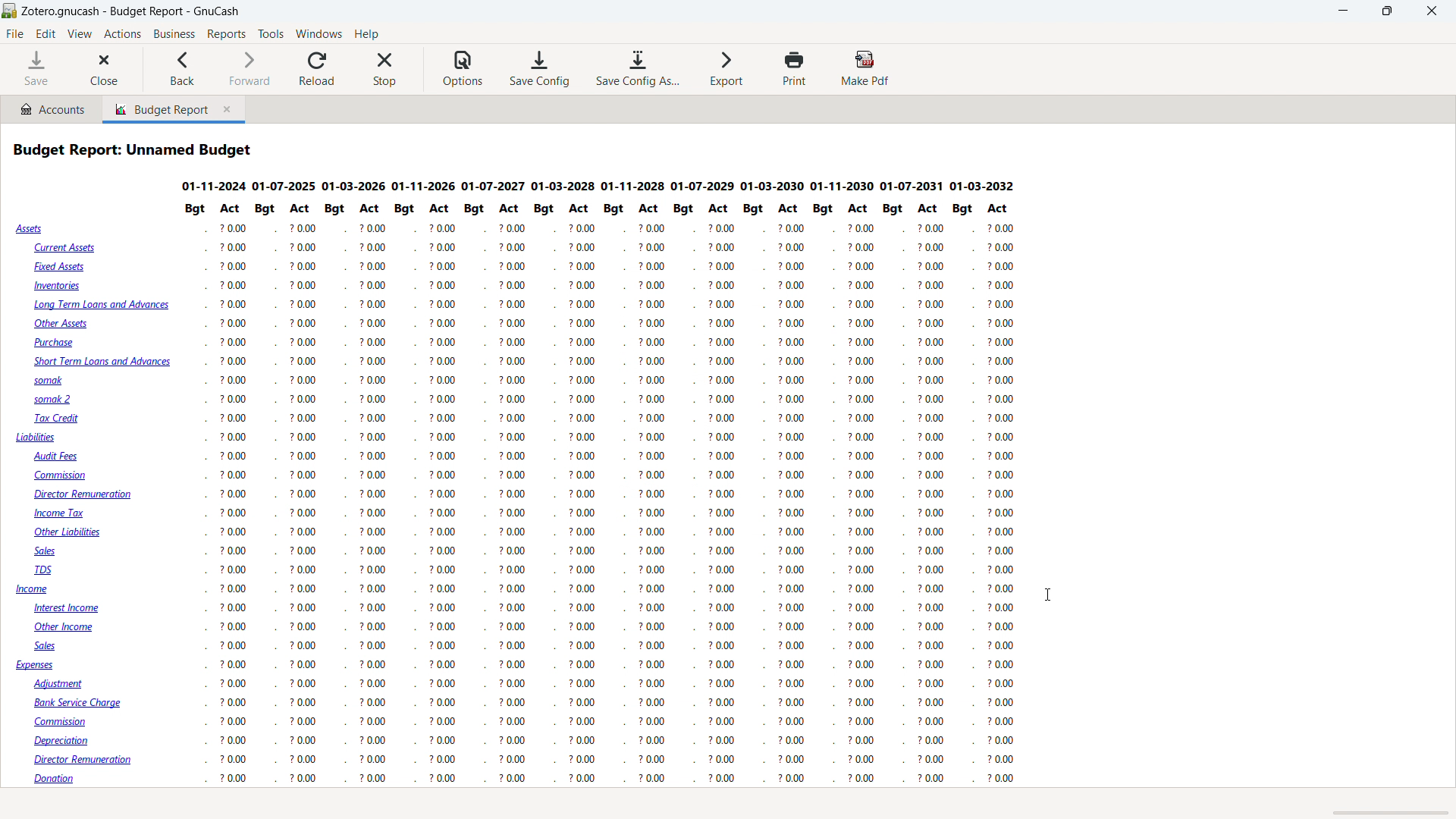 The width and height of the screenshot is (1456, 819). Describe the element at coordinates (68, 629) in the screenshot. I see `Other Income` at that location.